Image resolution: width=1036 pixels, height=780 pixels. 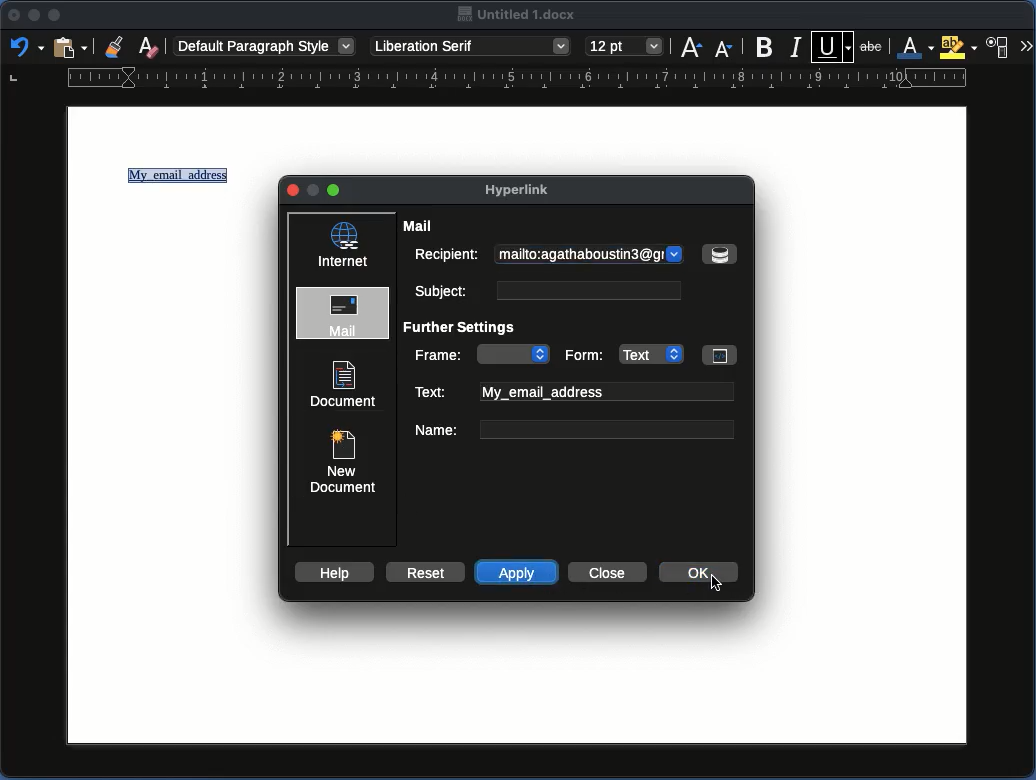 I want to click on Italics, so click(x=796, y=46).